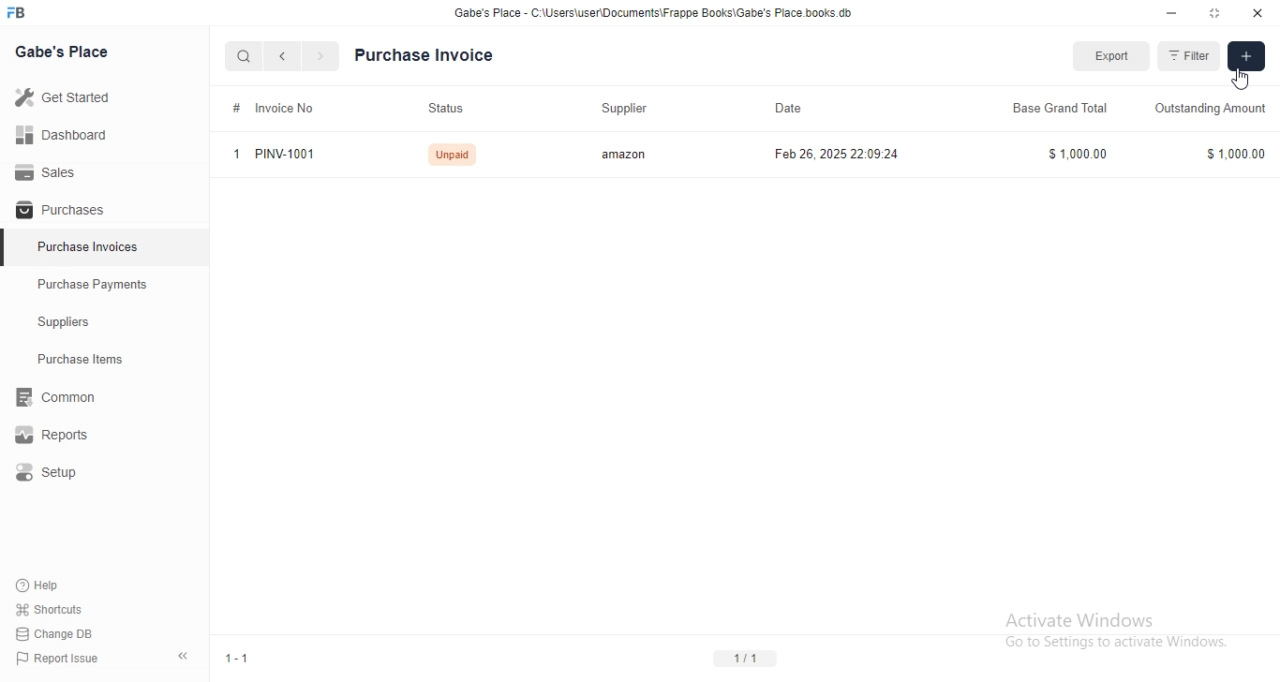 The width and height of the screenshot is (1280, 682). What do you see at coordinates (1171, 13) in the screenshot?
I see `Minimize` at bounding box center [1171, 13].